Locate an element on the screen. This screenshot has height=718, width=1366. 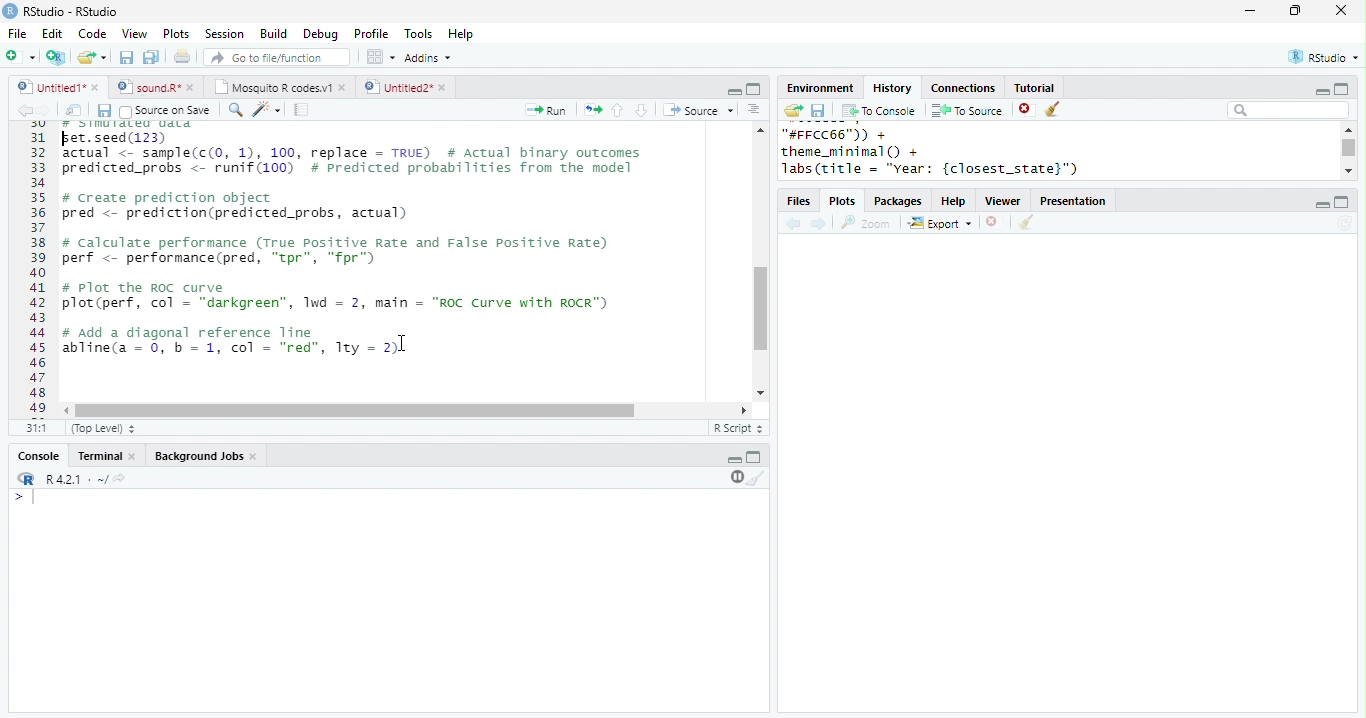
down is located at coordinates (640, 110).